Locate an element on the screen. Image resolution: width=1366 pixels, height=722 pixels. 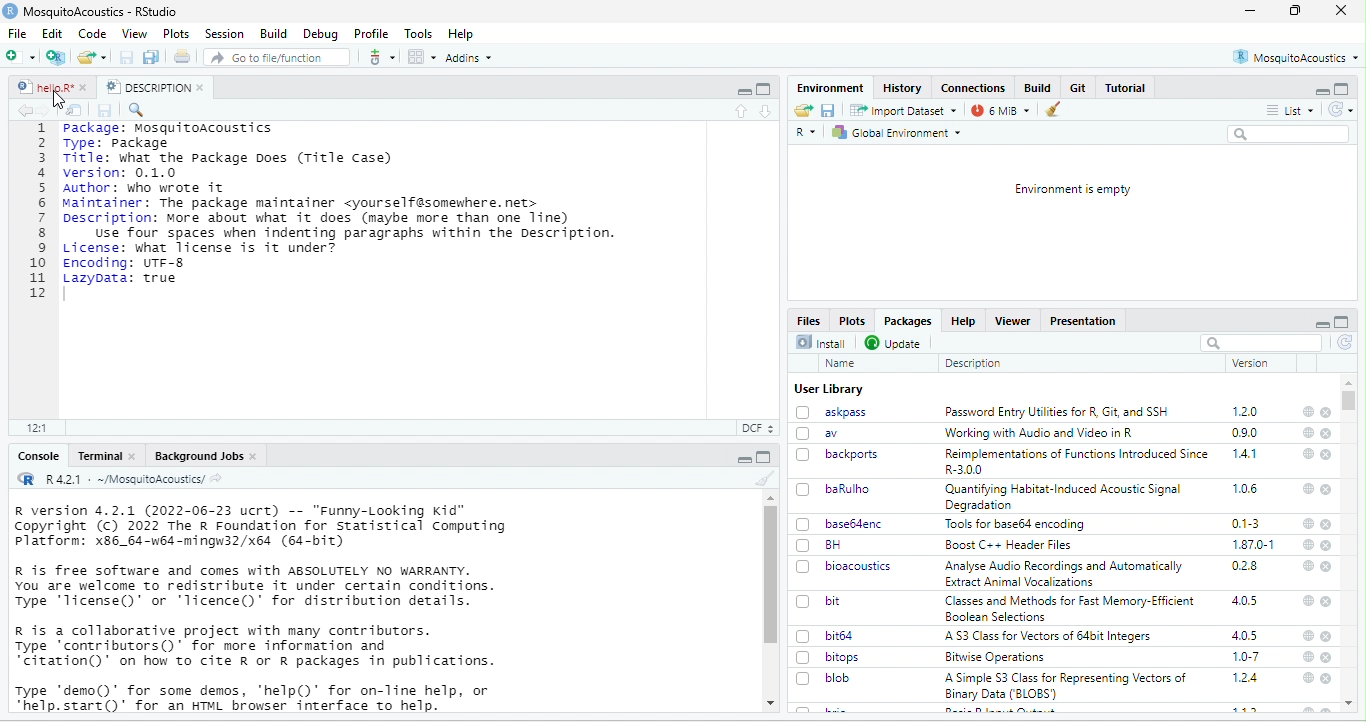
next section is located at coordinates (765, 112).